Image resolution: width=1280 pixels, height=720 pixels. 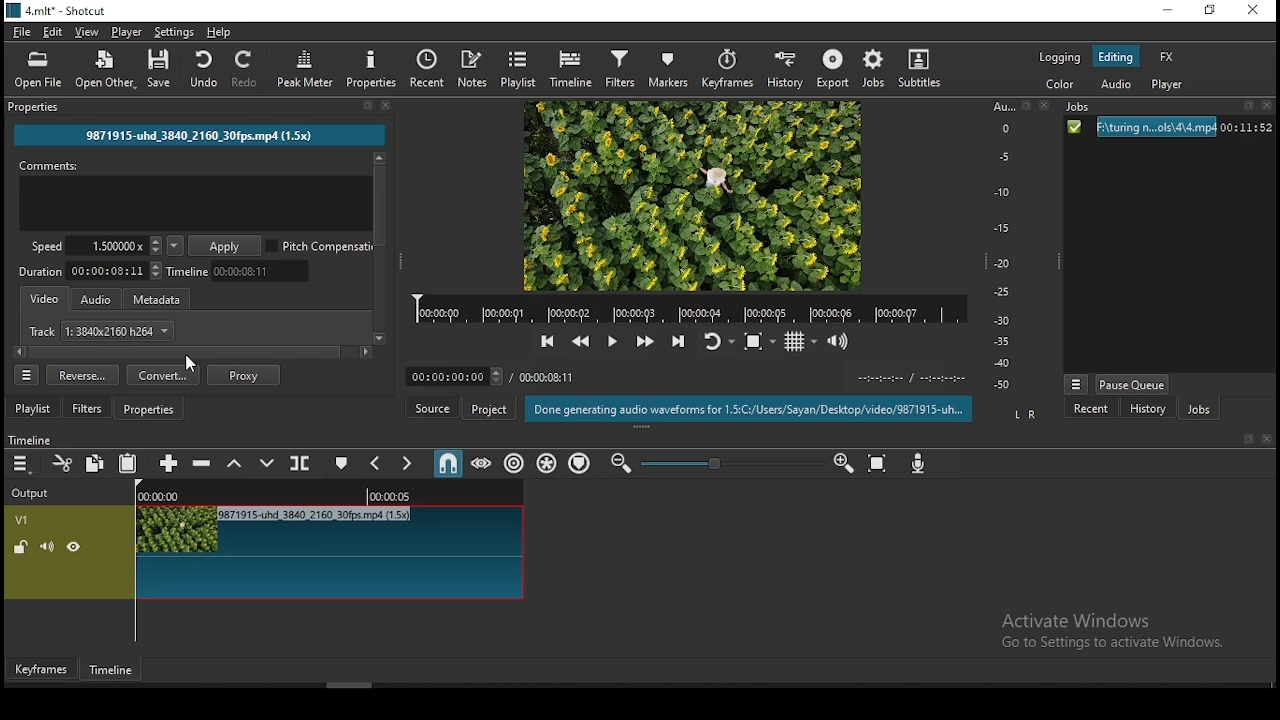 I want to click on undo, so click(x=199, y=68).